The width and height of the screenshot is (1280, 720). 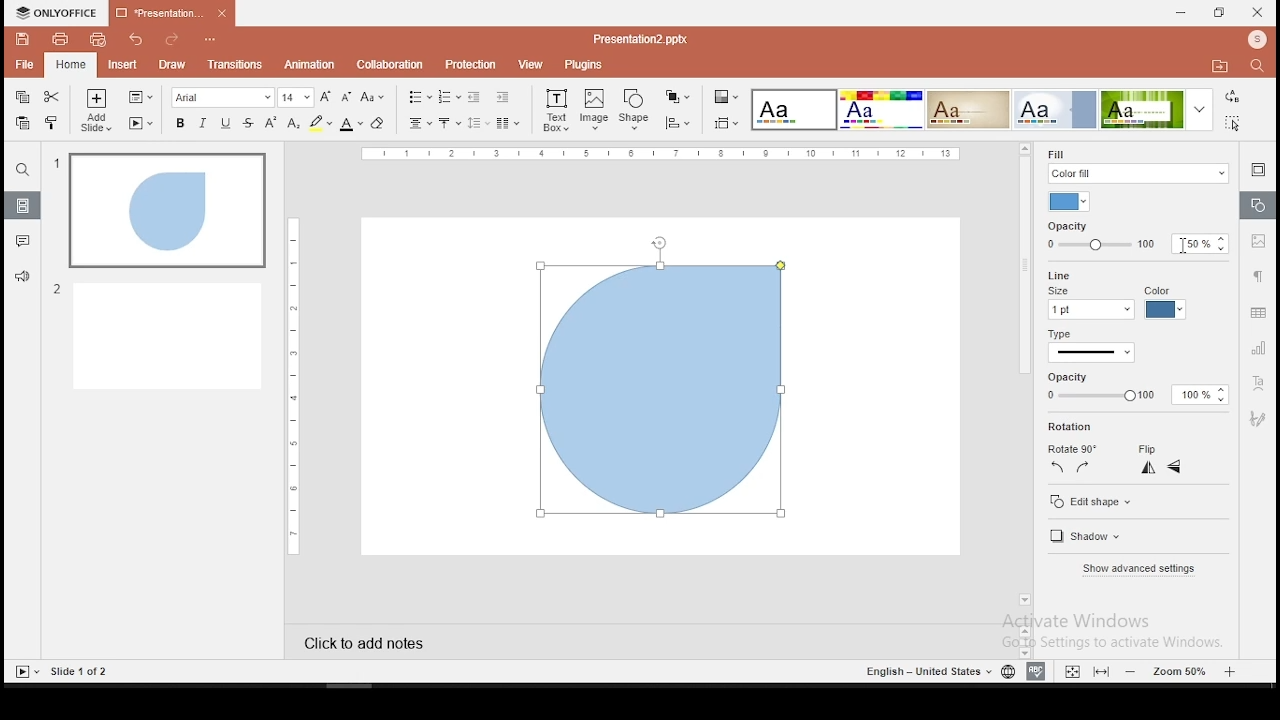 I want to click on image settings, so click(x=1260, y=243).